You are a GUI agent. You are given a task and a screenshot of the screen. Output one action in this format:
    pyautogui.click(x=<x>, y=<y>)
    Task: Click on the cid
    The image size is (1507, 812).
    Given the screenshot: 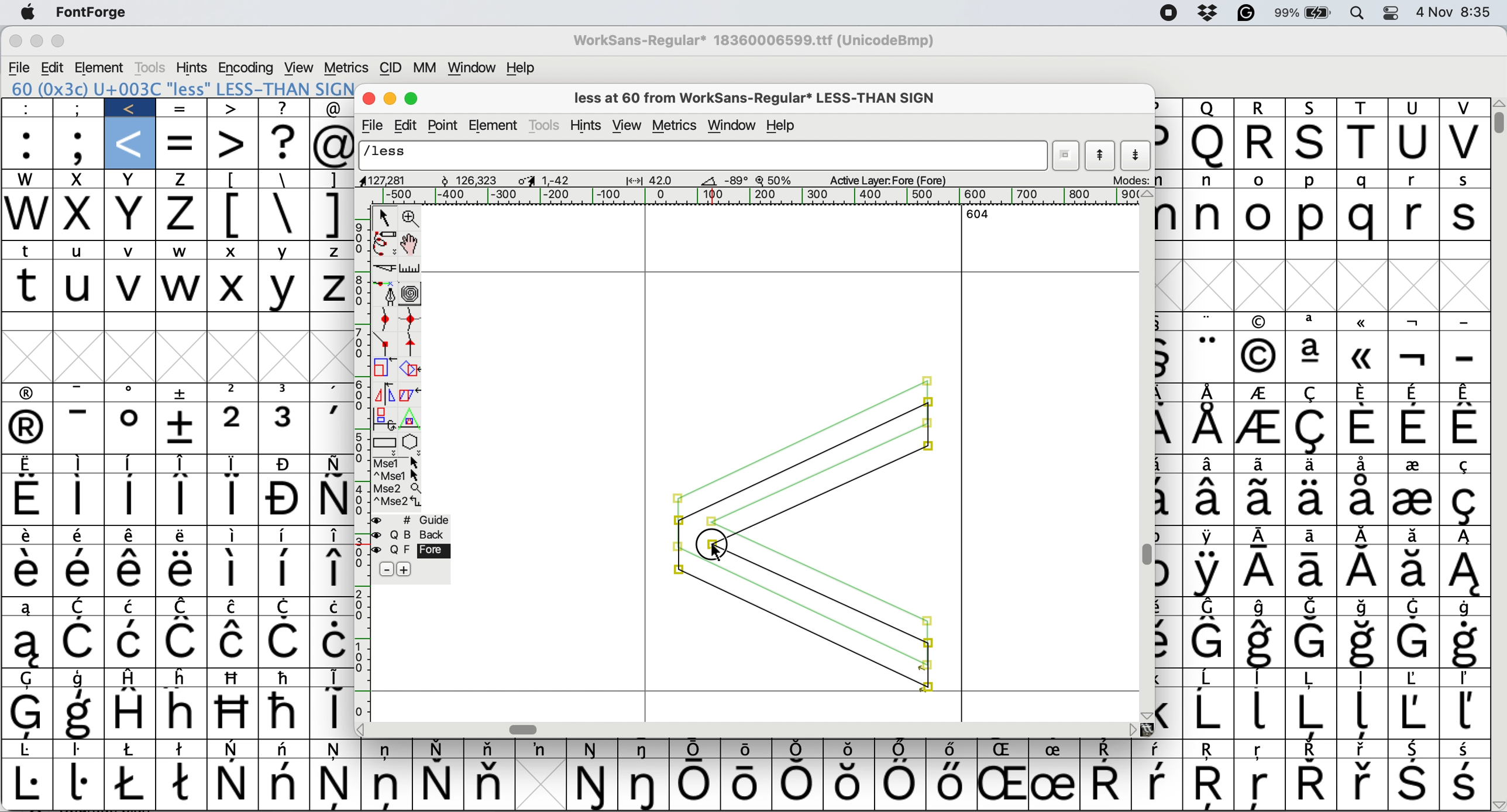 What is the action you would take?
    pyautogui.click(x=391, y=68)
    